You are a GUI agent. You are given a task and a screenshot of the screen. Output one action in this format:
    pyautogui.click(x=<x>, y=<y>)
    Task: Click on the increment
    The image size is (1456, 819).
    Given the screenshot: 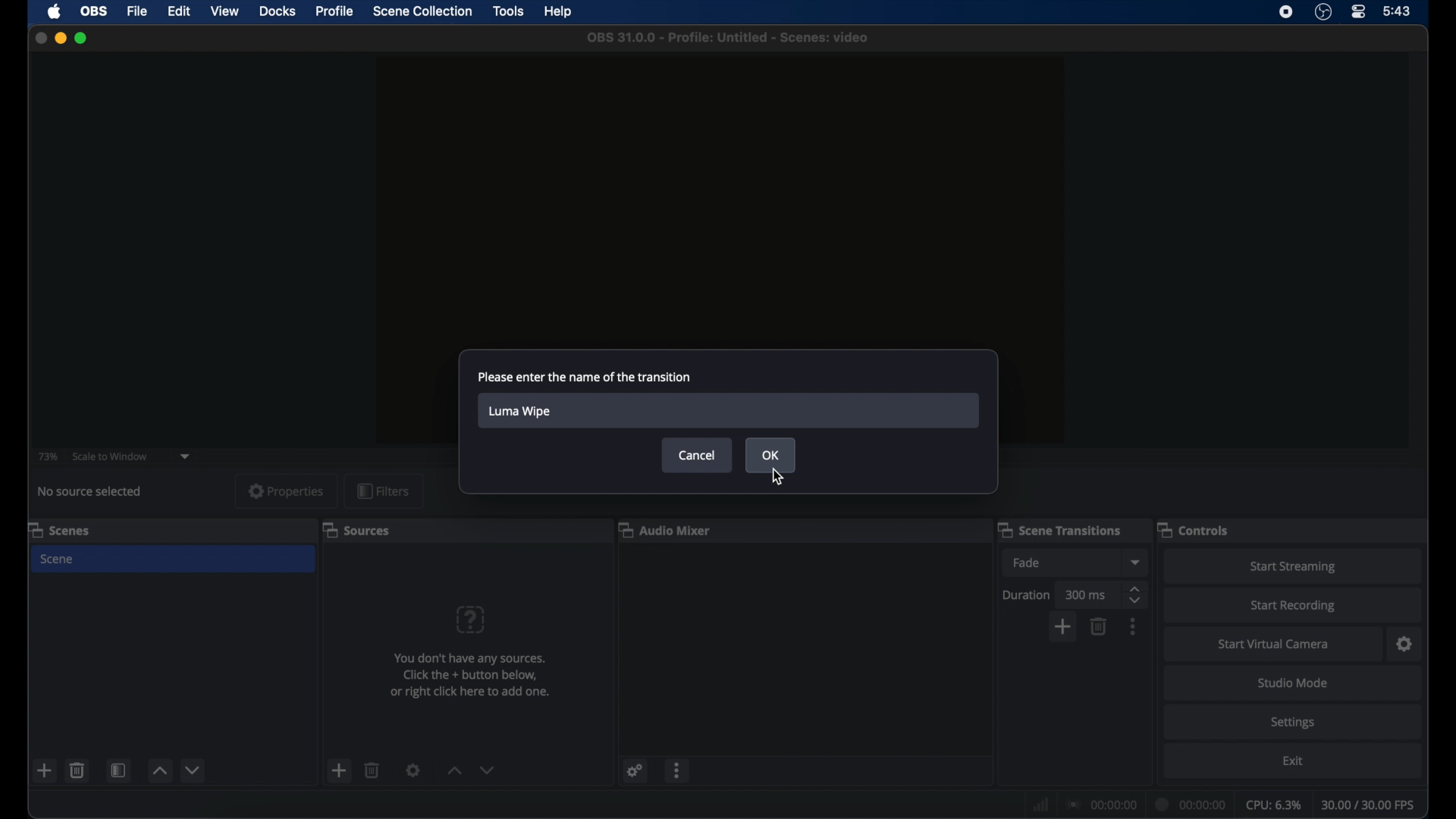 What is the action you would take?
    pyautogui.click(x=162, y=770)
    